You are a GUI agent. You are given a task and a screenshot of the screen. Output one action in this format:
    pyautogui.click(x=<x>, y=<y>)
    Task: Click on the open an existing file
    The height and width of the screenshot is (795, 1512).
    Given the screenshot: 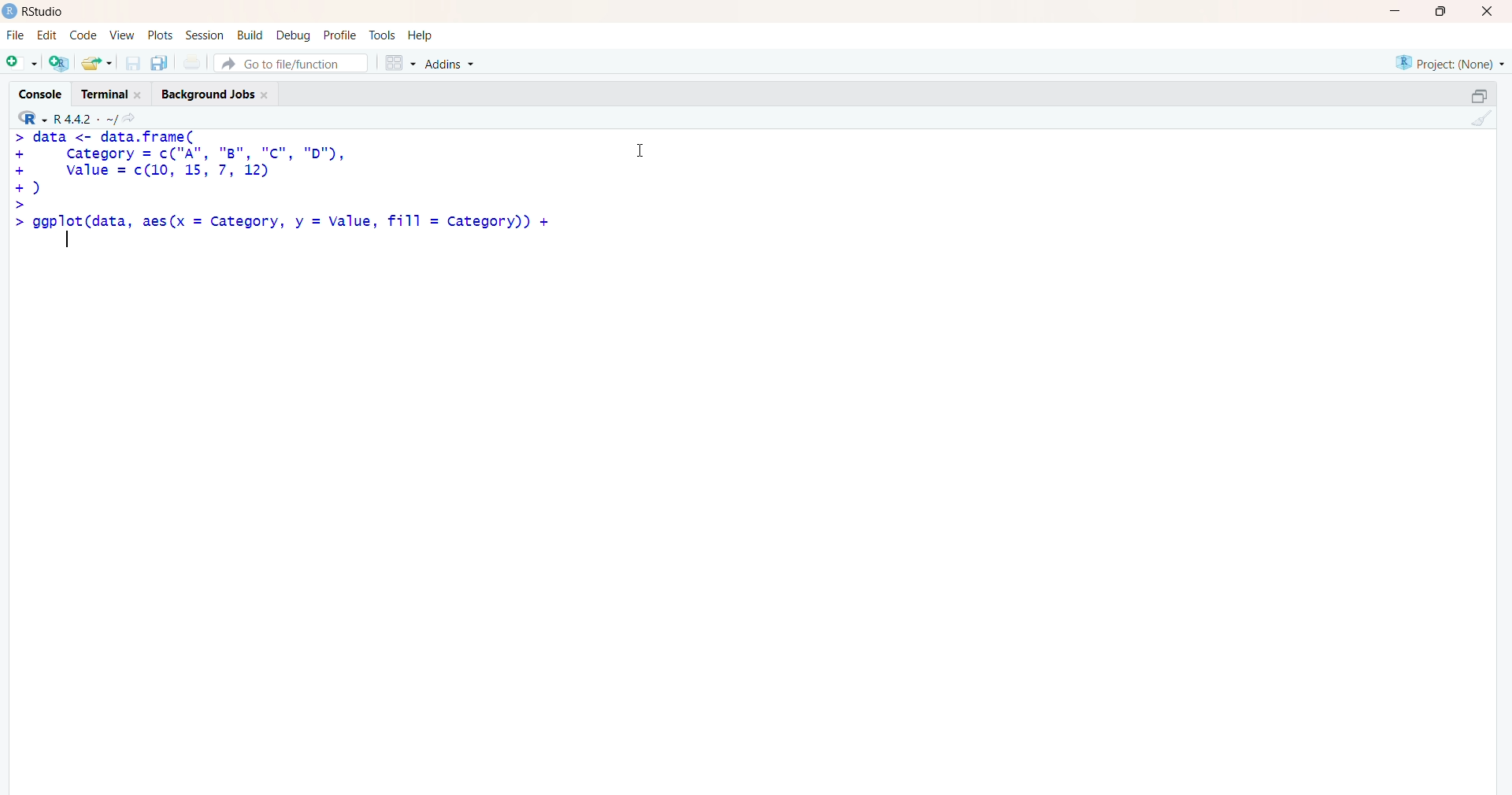 What is the action you would take?
    pyautogui.click(x=96, y=62)
    